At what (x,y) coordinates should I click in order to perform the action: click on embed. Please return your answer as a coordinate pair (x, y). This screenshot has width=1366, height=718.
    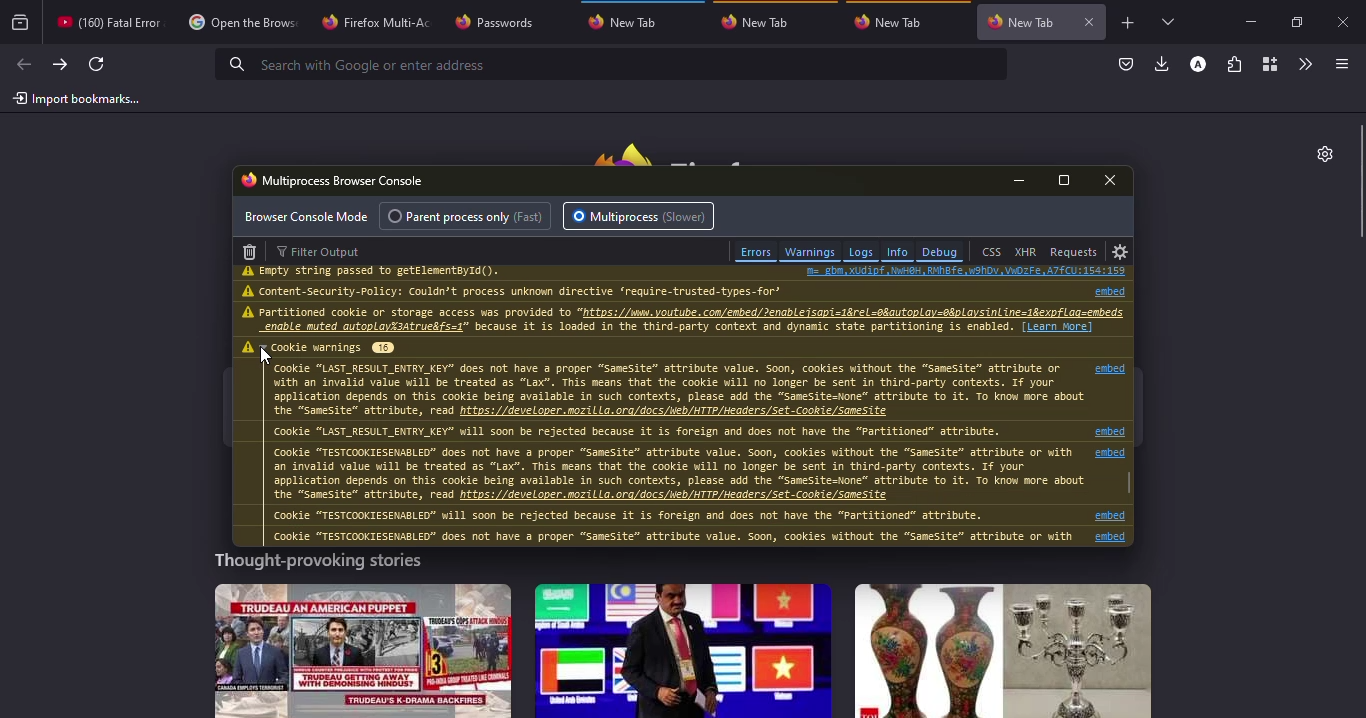
    Looking at the image, I should click on (1110, 367).